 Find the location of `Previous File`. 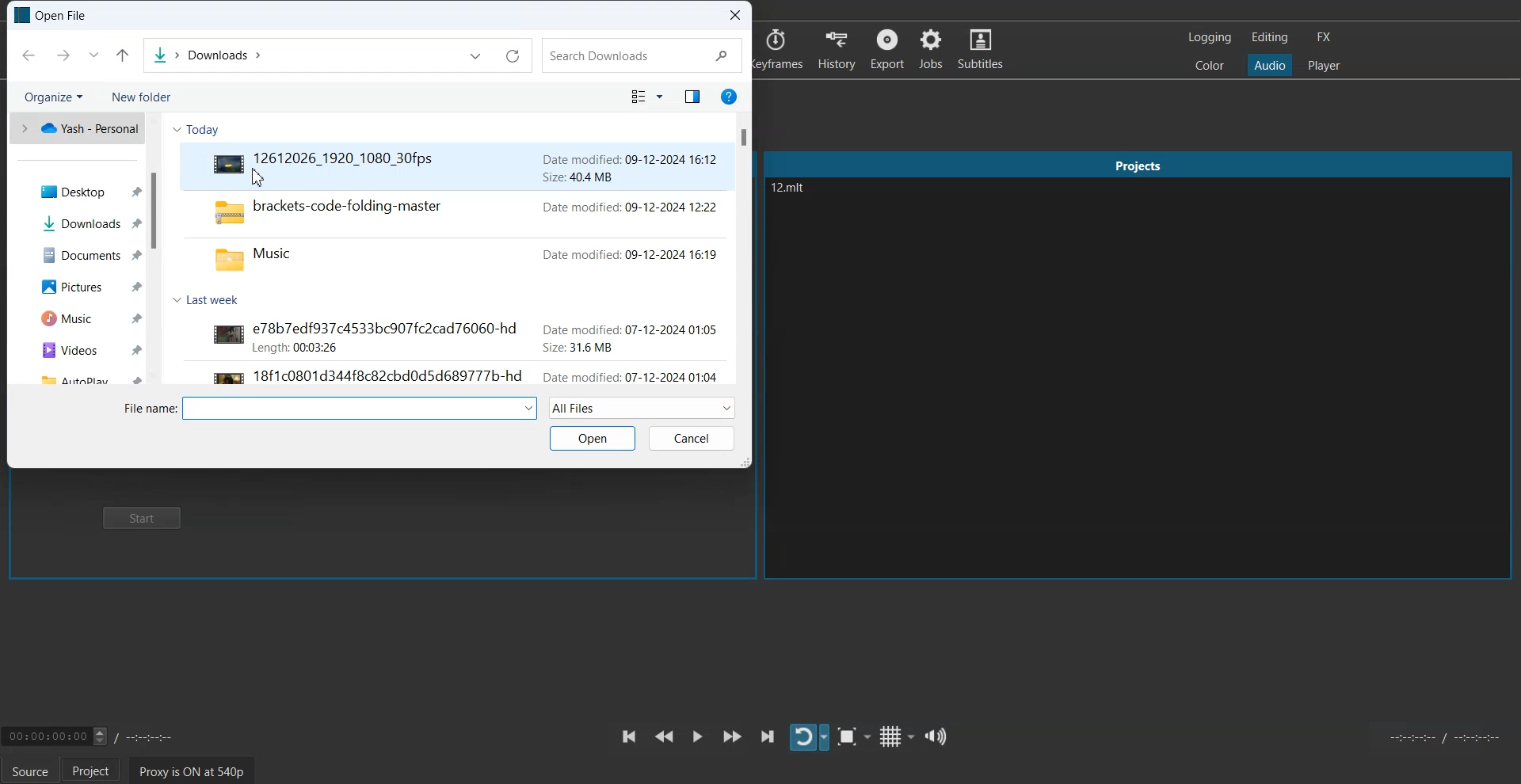

Previous File is located at coordinates (475, 56).